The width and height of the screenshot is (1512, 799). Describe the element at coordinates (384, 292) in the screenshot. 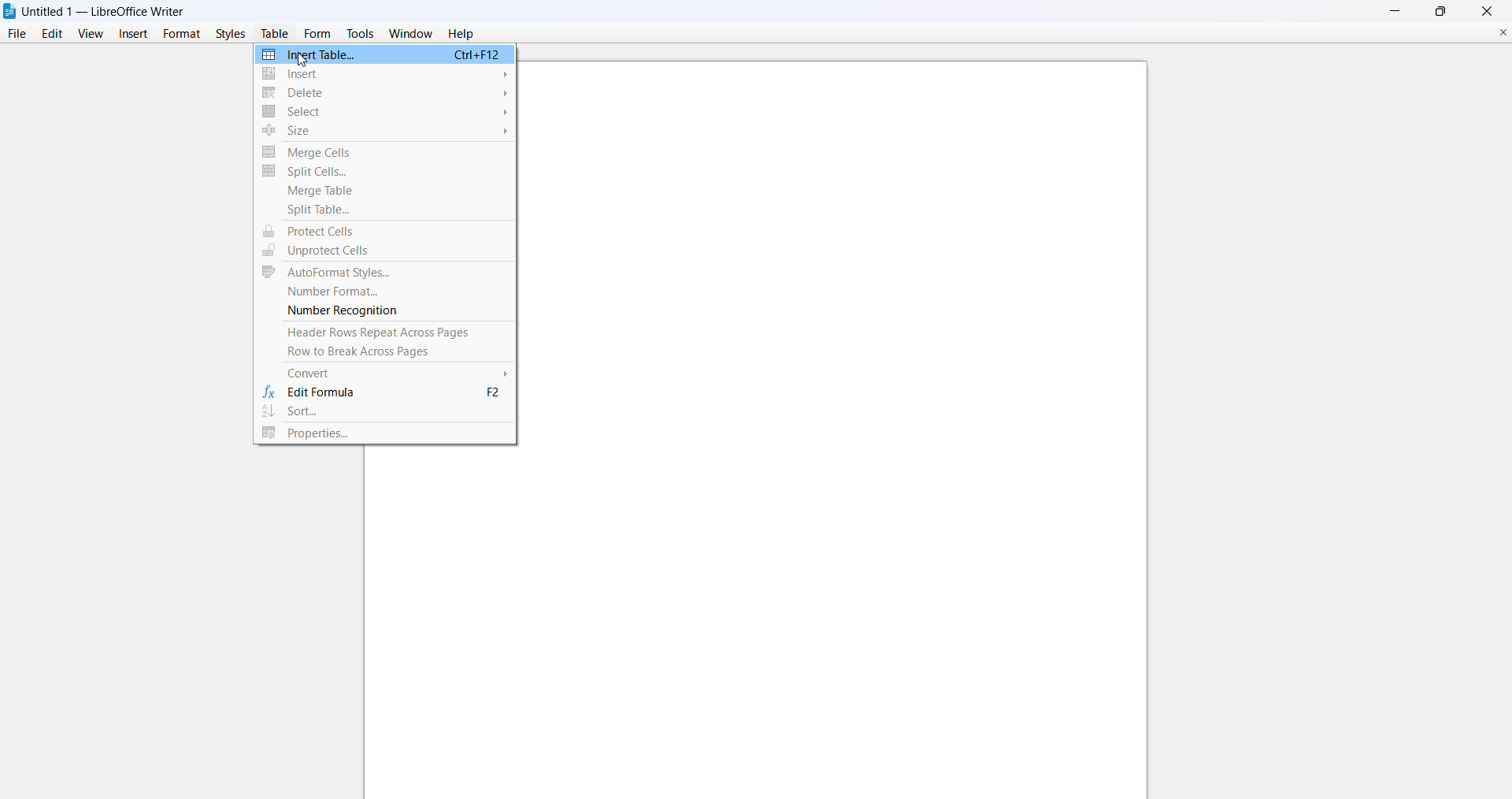

I see `number format` at that location.